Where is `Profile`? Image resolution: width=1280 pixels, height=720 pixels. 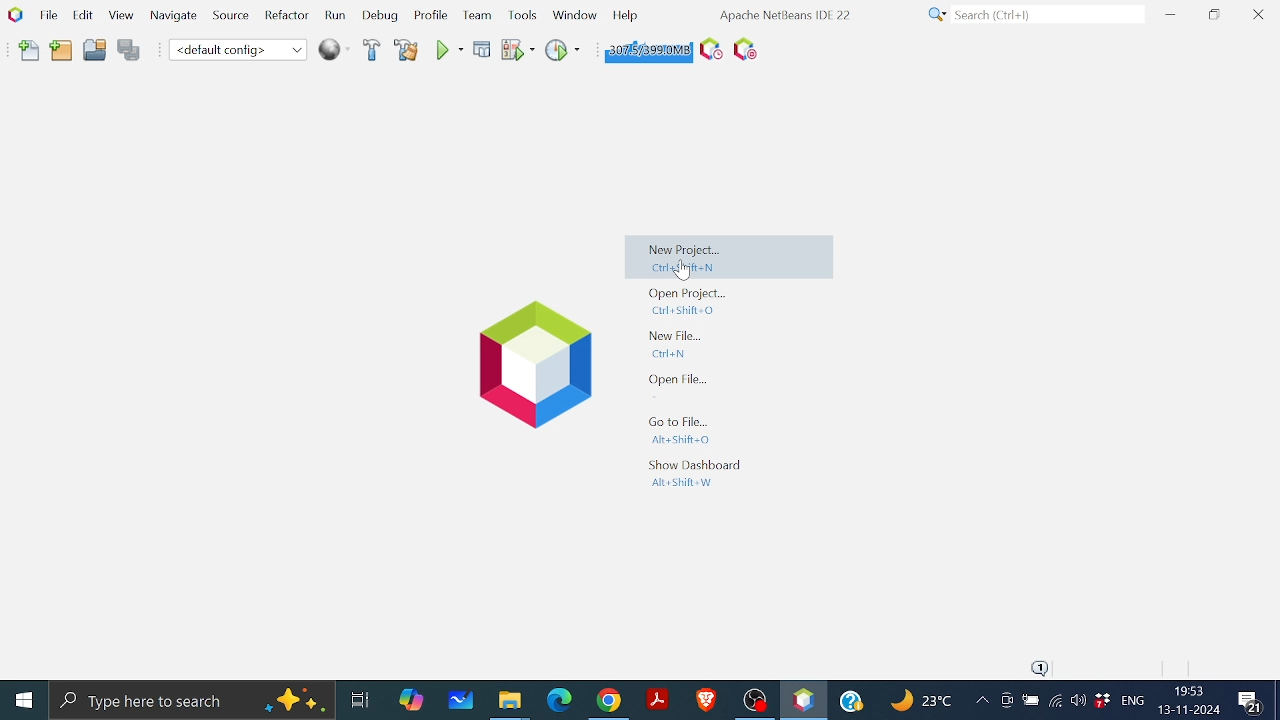 Profile is located at coordinates (429, 17).